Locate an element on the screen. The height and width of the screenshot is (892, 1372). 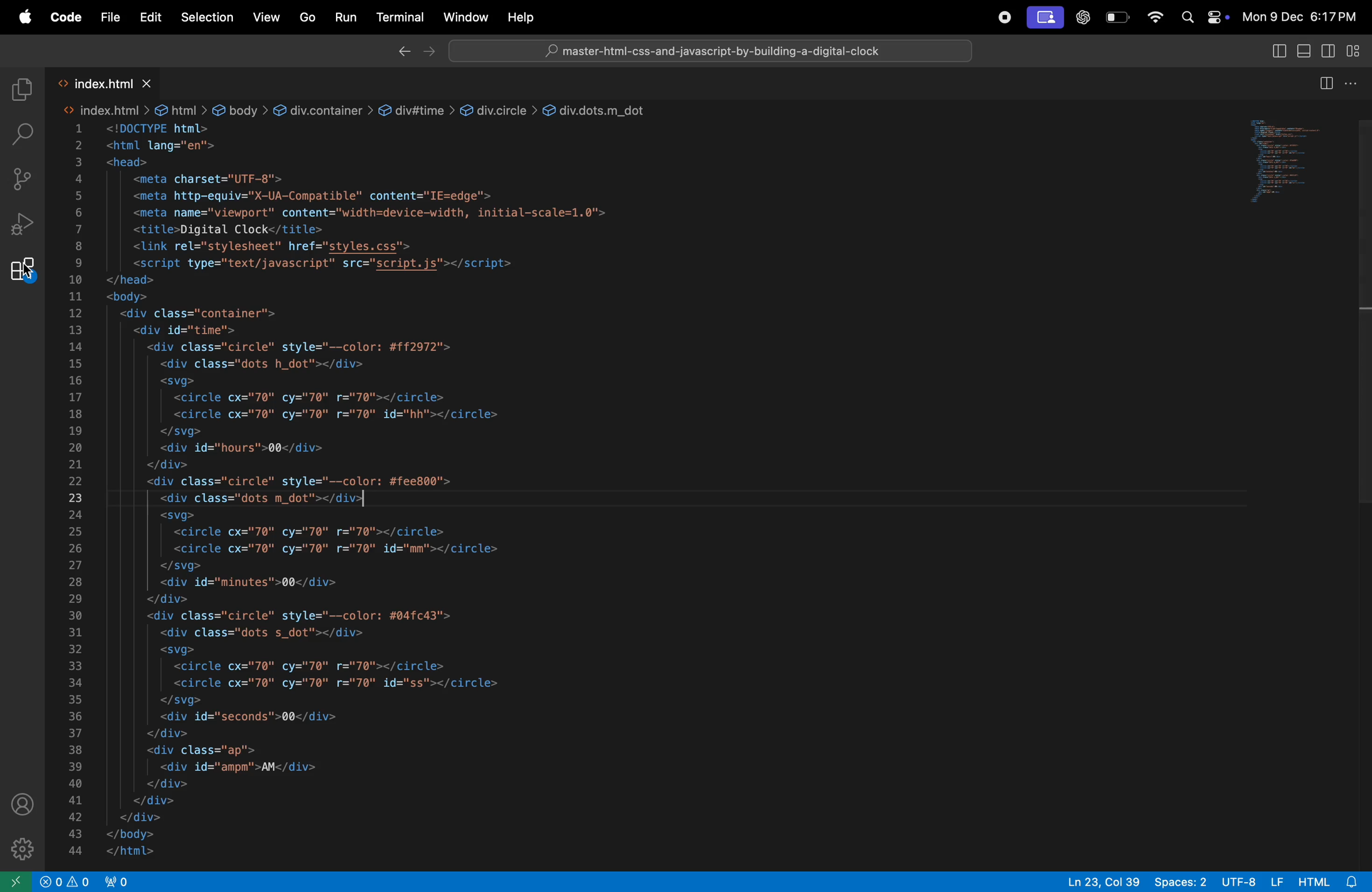
chatgpt is located at coordinates (1084, 18).